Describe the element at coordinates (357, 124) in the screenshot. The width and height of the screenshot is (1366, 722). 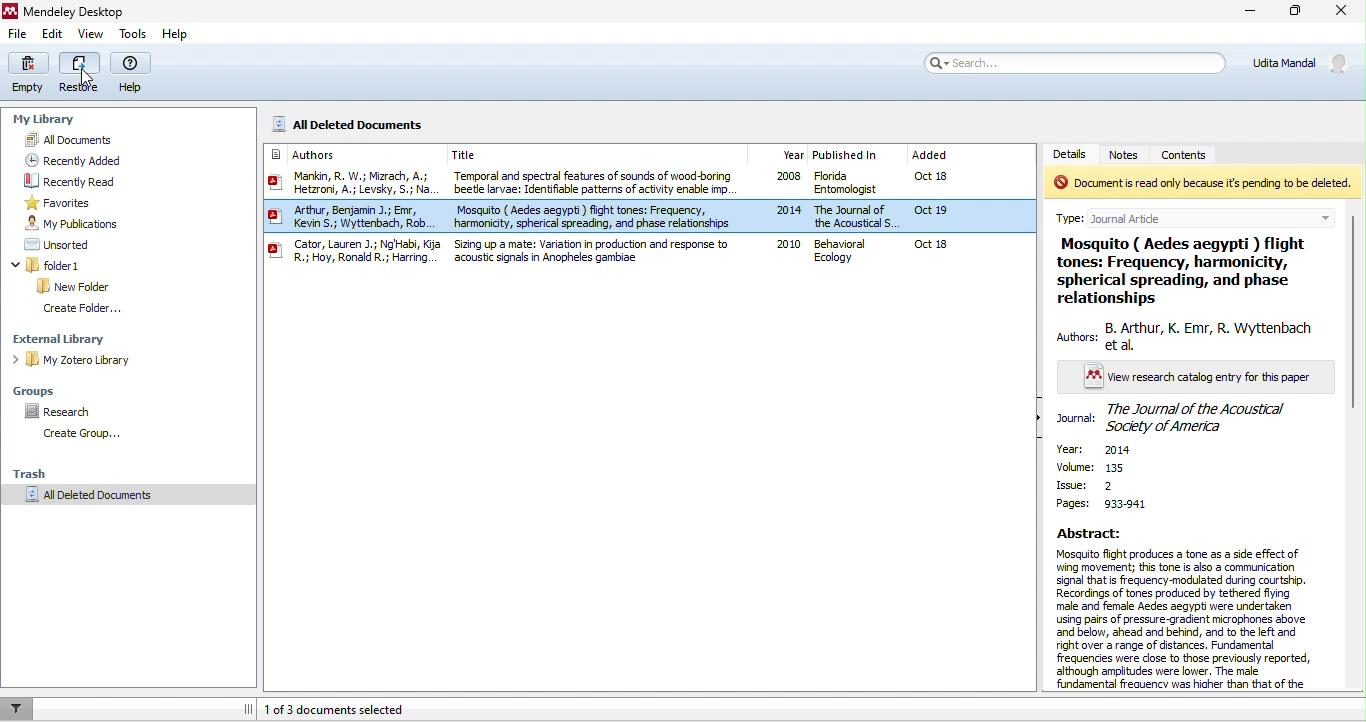
I see `all deleted documents` at that location.